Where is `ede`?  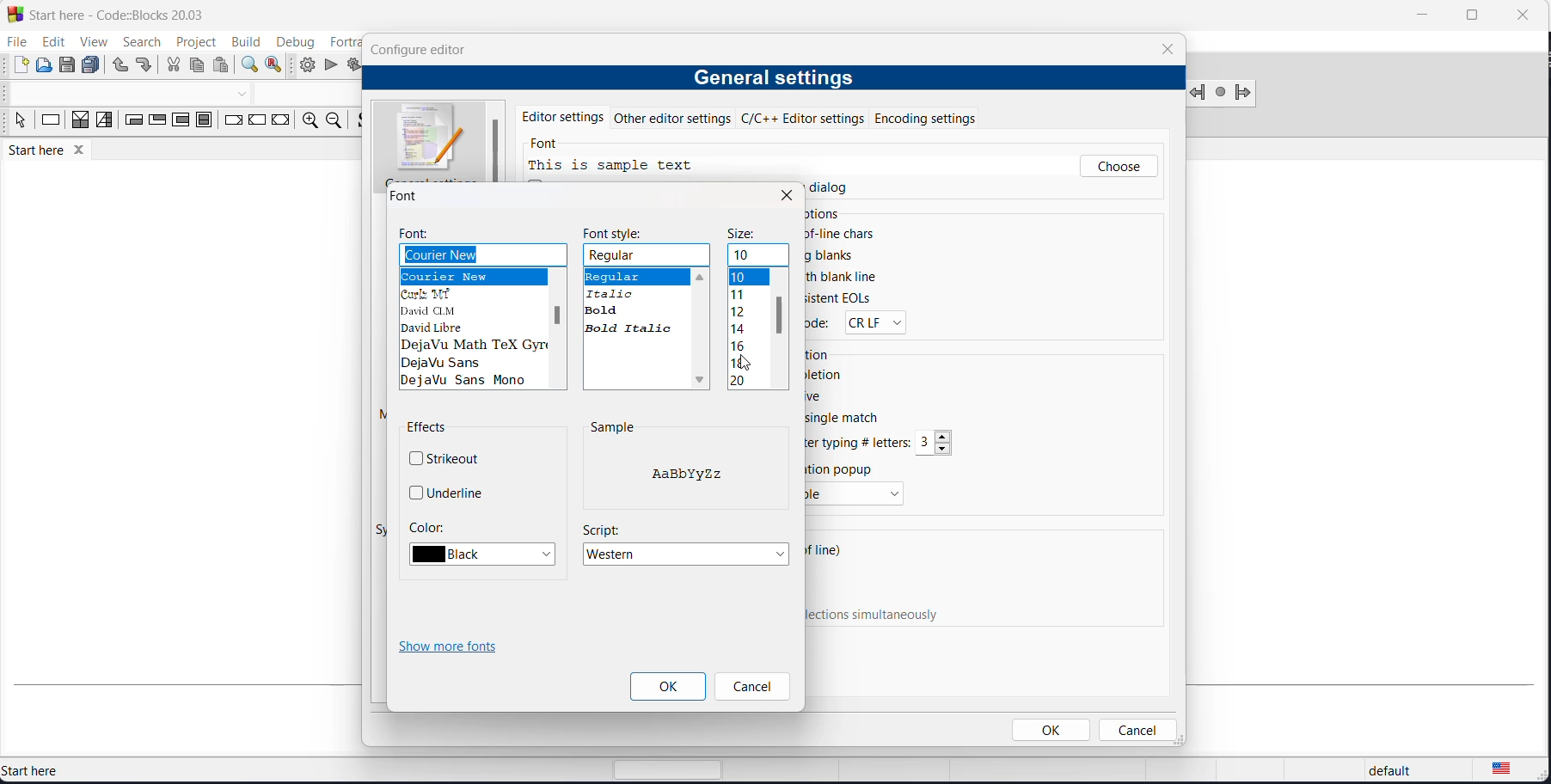 ede is located at coordinates (821, 326).